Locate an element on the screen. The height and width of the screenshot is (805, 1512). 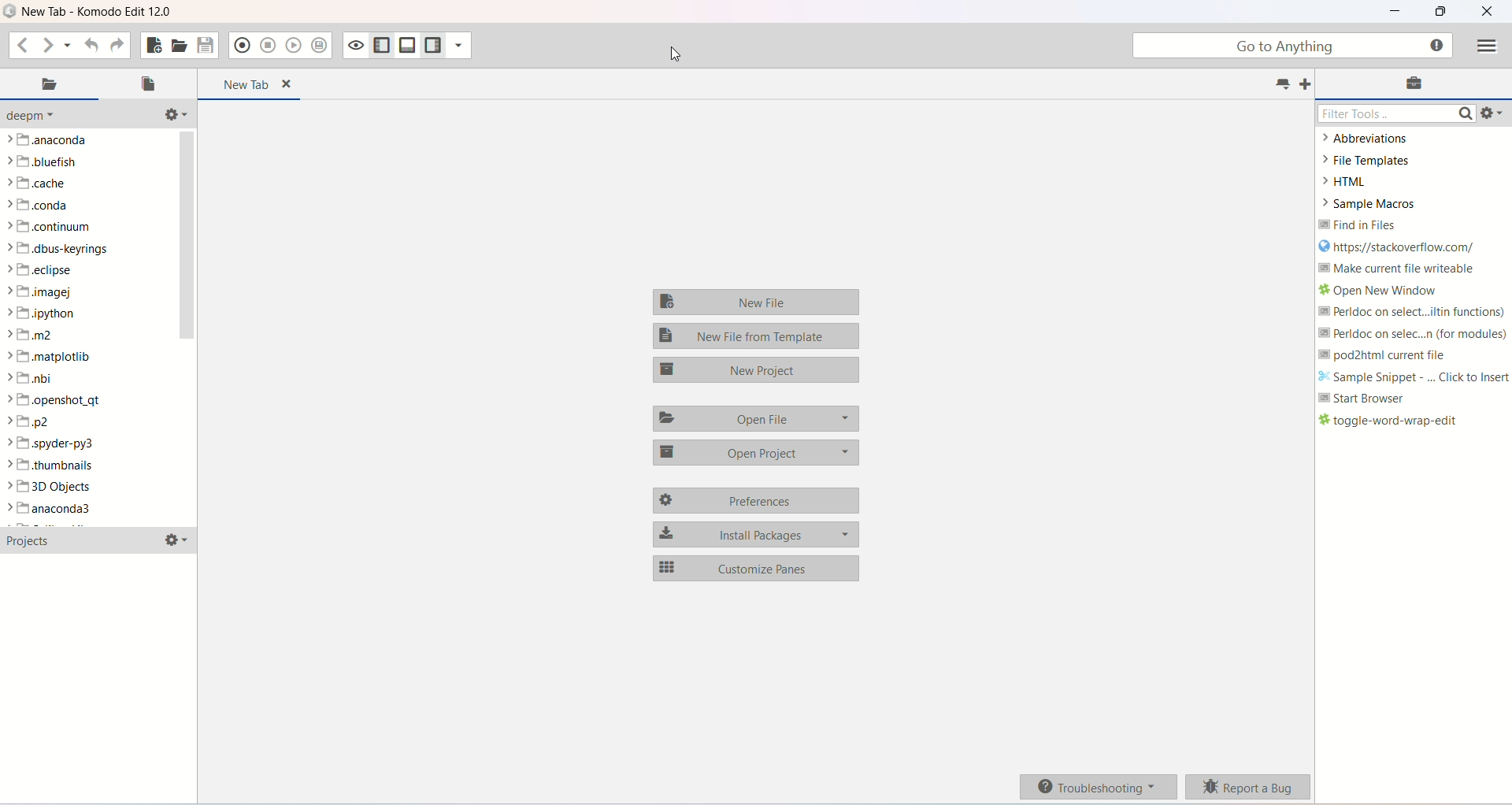
show specific sidebar is located at coordinates (461, 46).